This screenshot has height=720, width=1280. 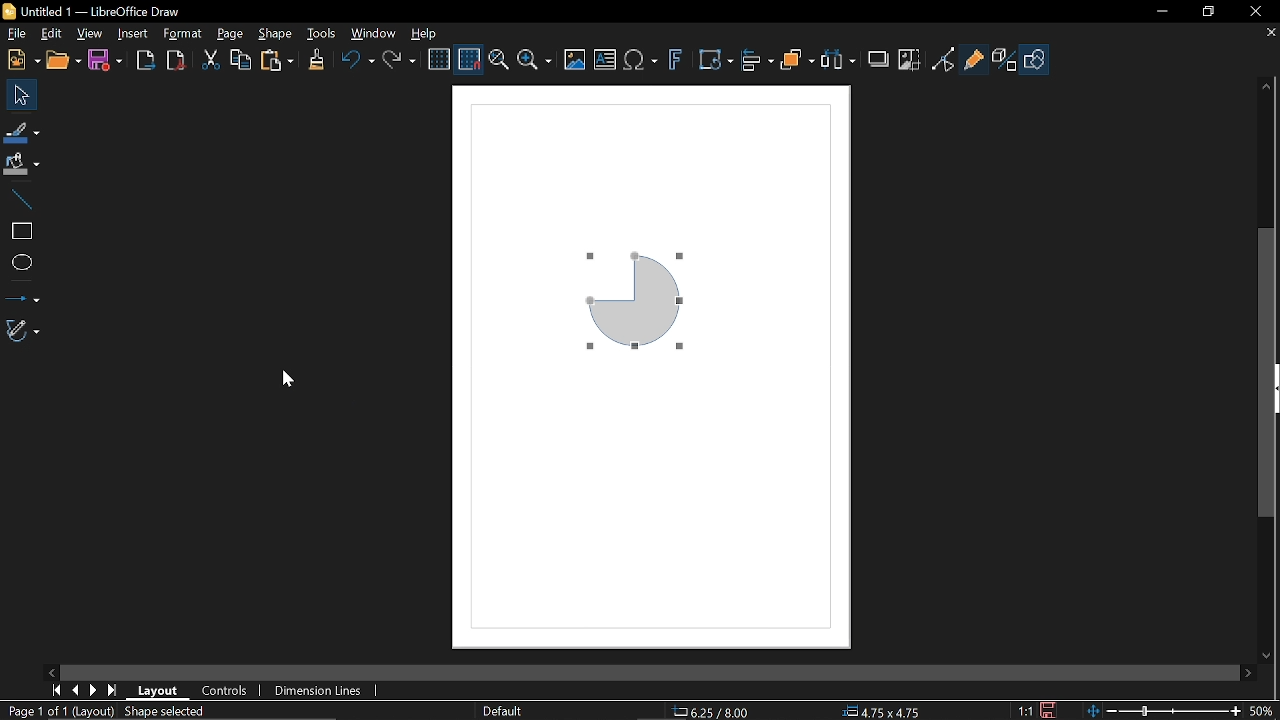 I want to click on Save, so click(x=1052, y=710).